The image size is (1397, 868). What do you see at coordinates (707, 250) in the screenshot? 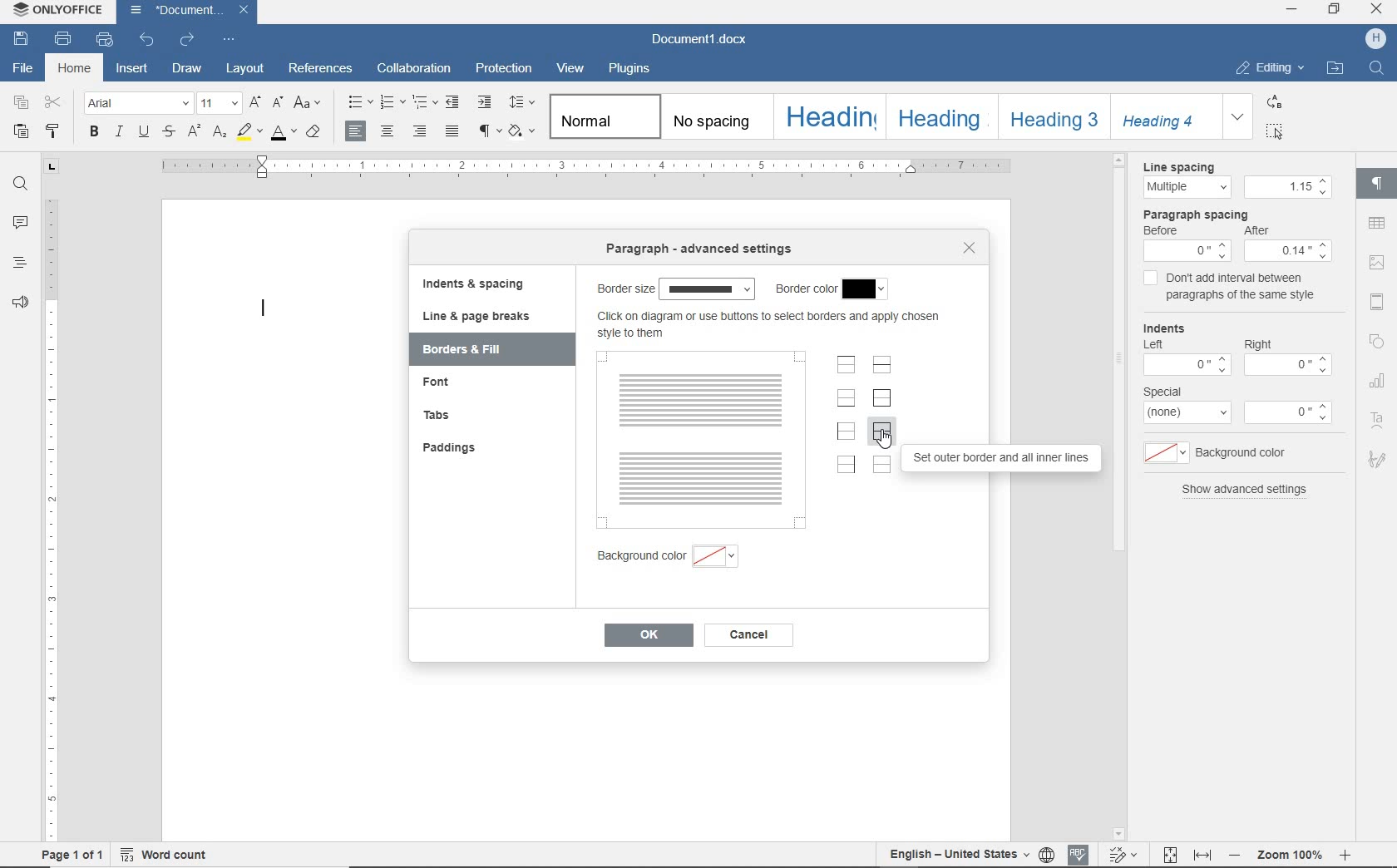
I see `paragraph- advanced settings` at bounding box center [707, 250].